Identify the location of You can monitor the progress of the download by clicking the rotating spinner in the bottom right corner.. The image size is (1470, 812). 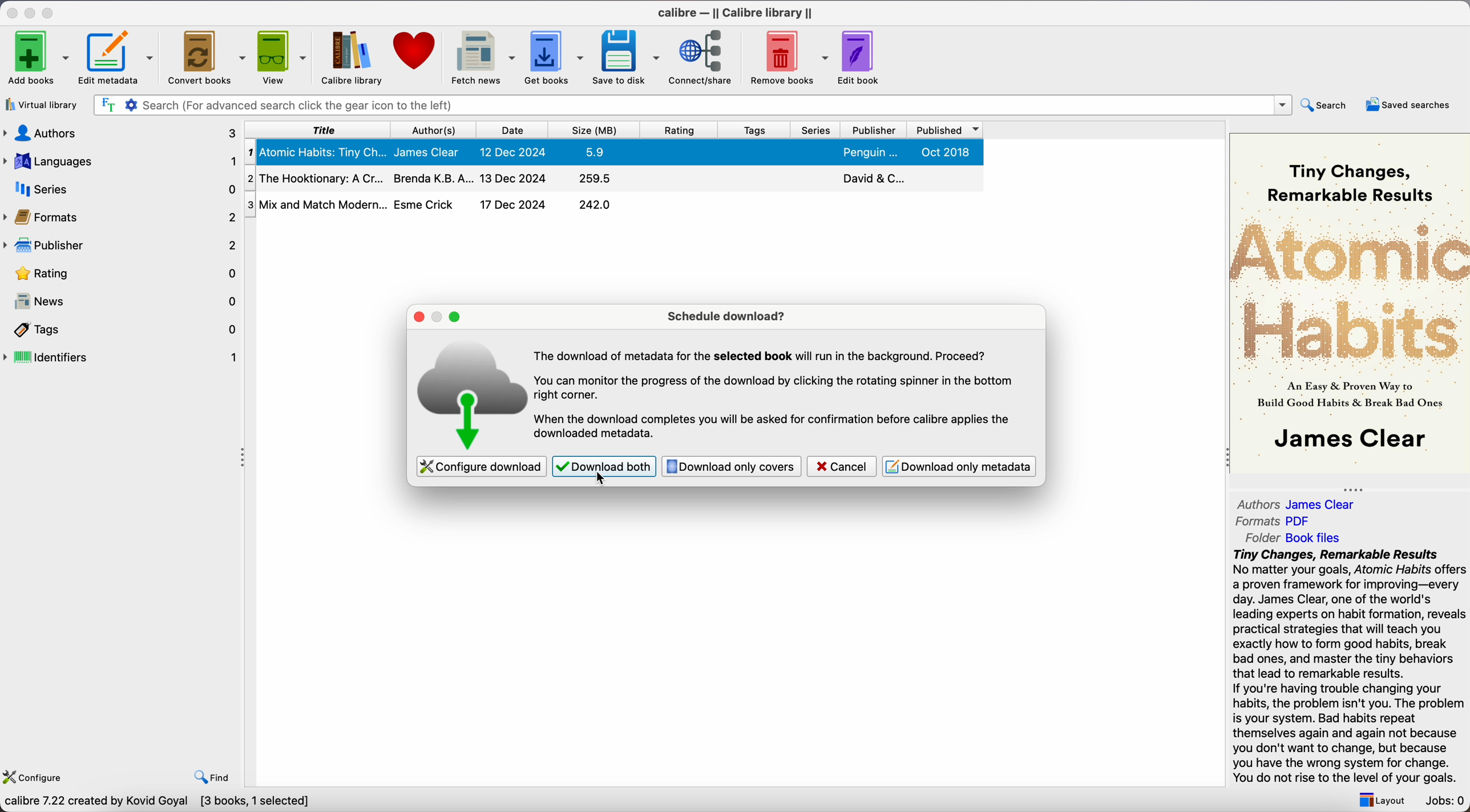
(777, 389).